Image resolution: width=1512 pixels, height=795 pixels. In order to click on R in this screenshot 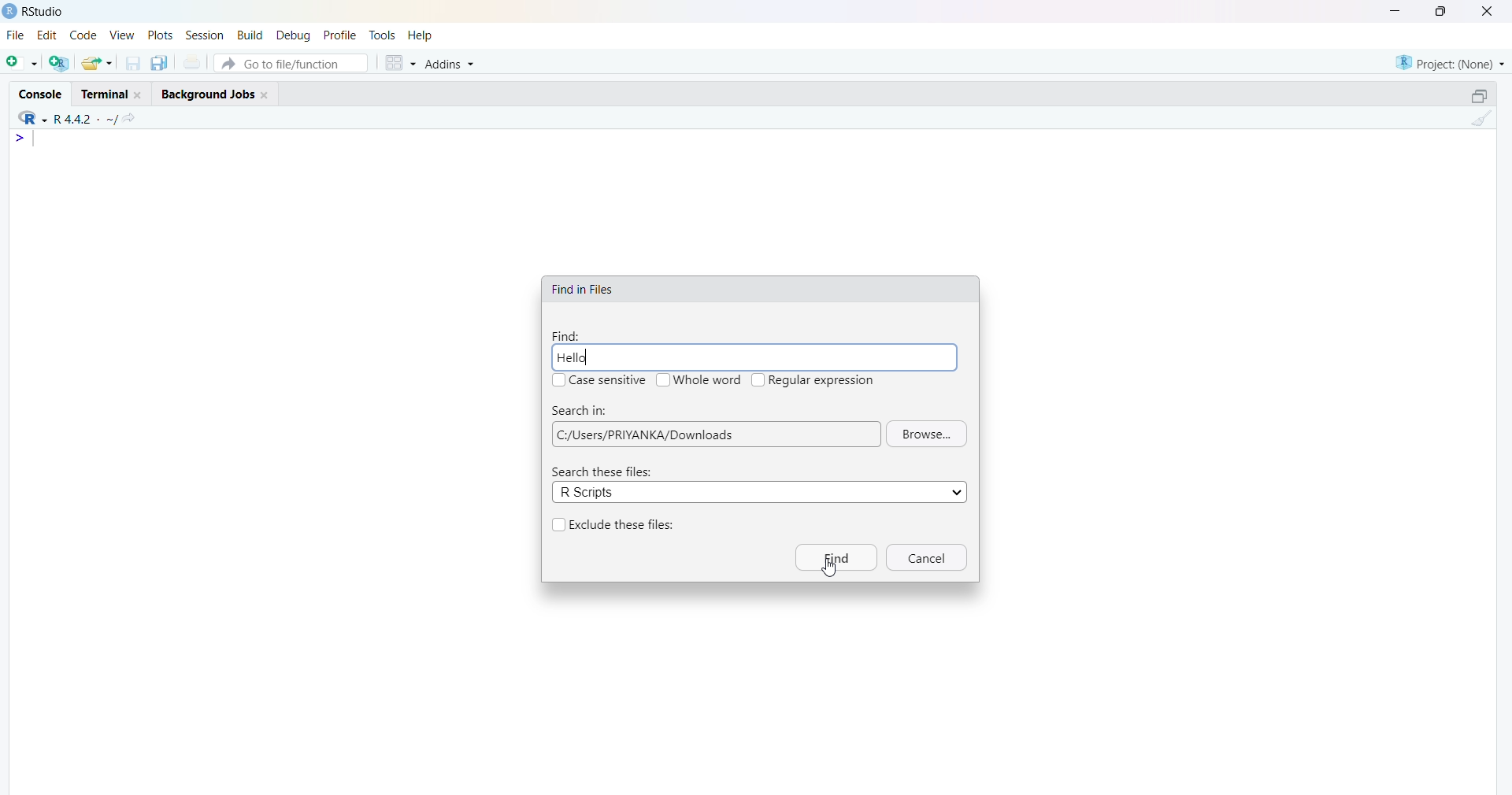, I will do `click(32, 118)`.